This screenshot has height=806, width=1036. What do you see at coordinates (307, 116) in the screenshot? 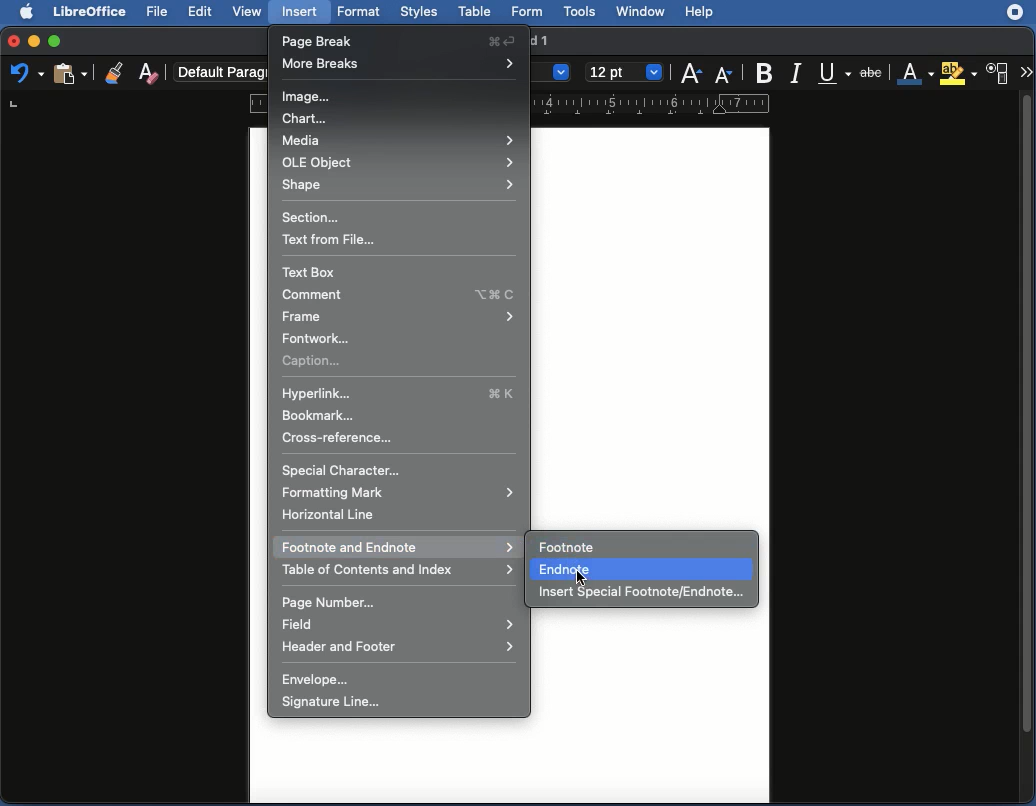
I see `Chart` at bounding box center [307, 116].